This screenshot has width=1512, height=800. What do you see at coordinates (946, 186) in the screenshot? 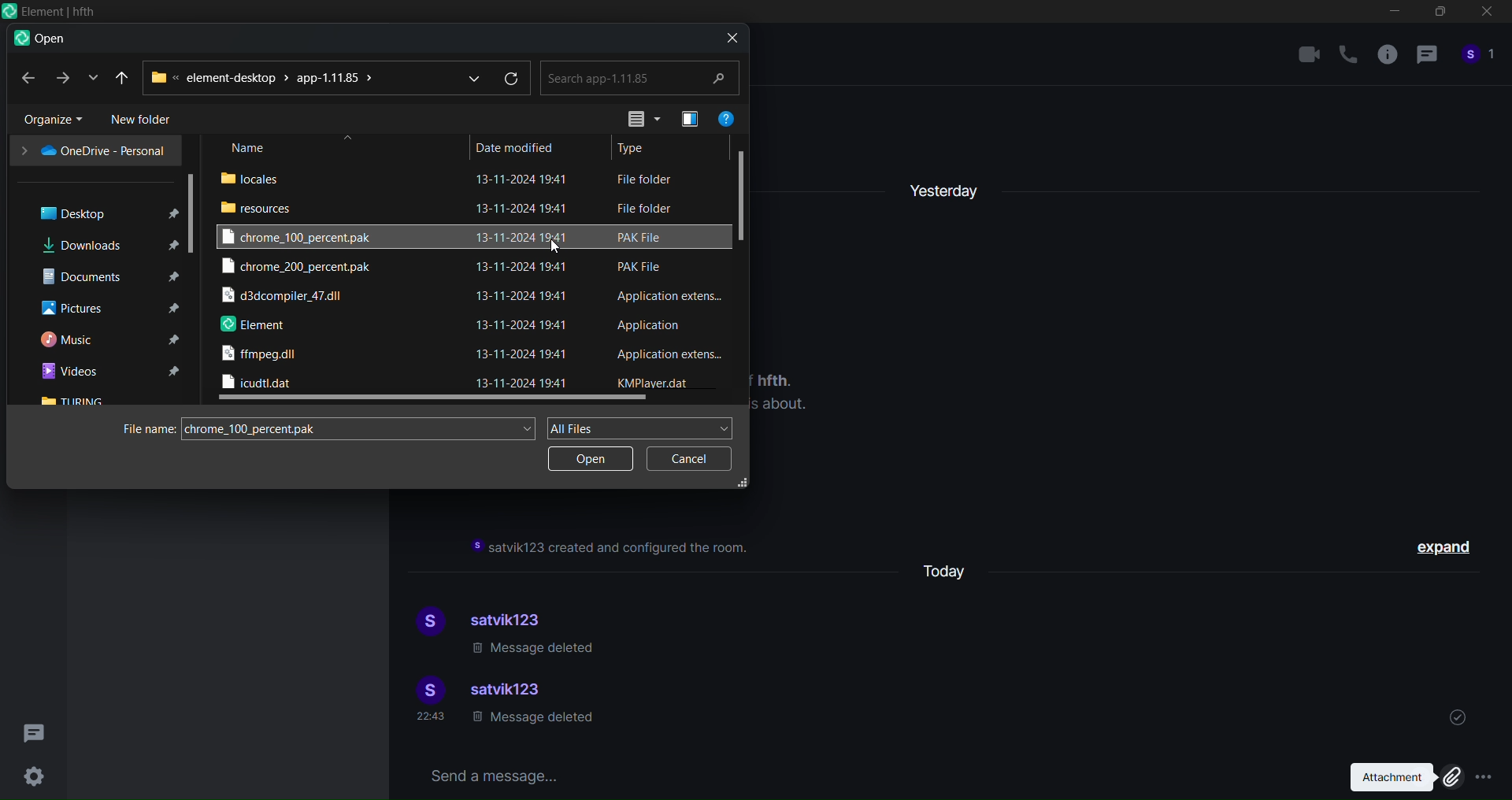
I see `yesterday` at bounding box center [946, 186].